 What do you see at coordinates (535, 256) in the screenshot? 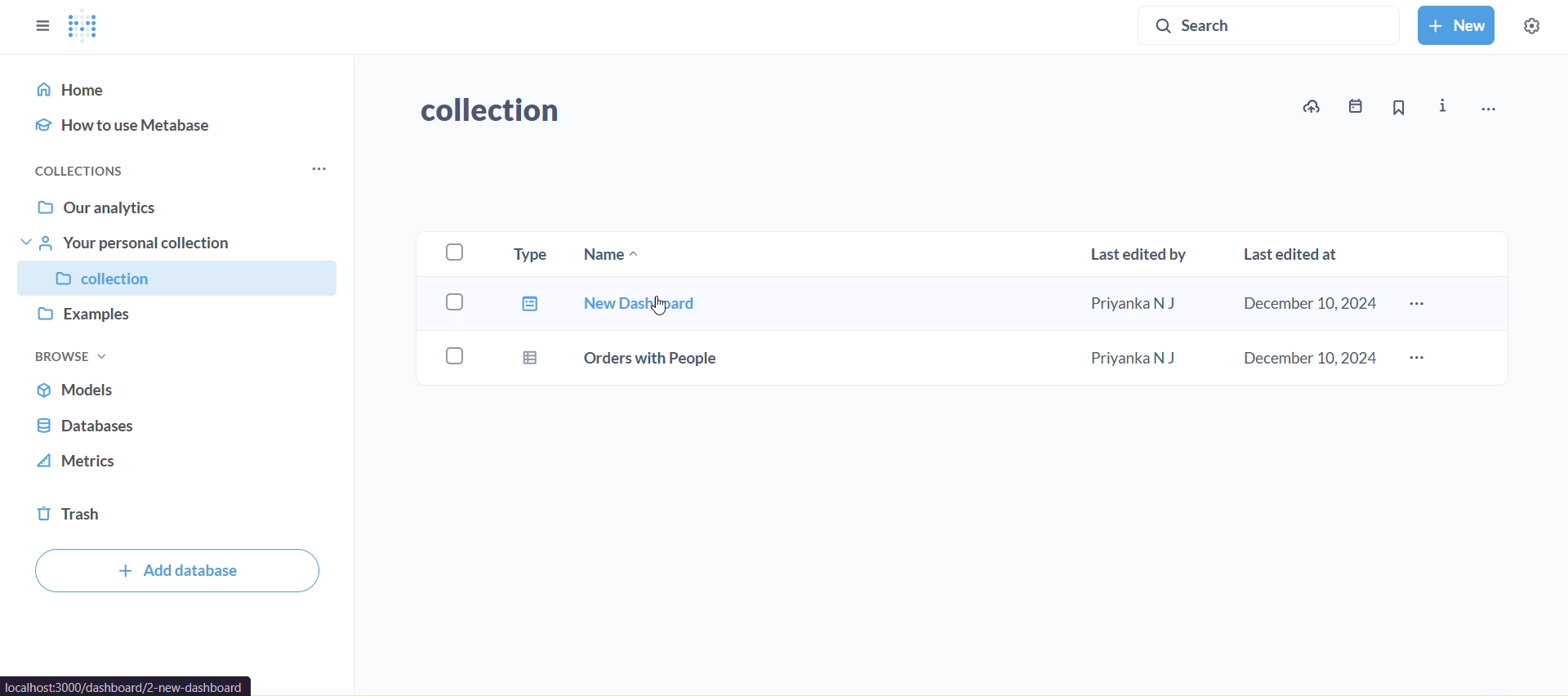
I see `type` at bounding box center [535, 256].